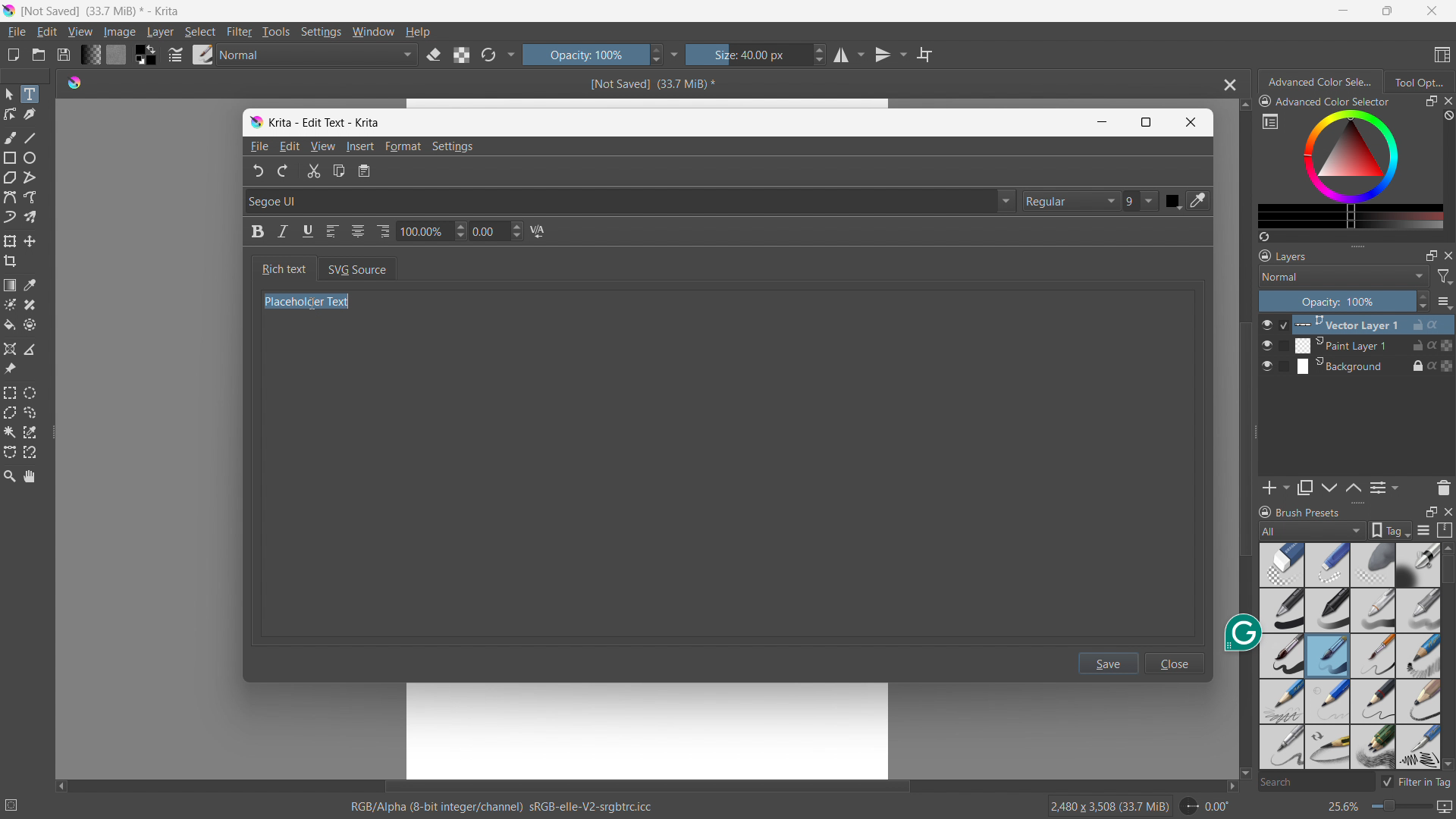 Image resolution: width=1456 pixels, height=819 pixels. I want to click on fill pattern, so click(117, 54).